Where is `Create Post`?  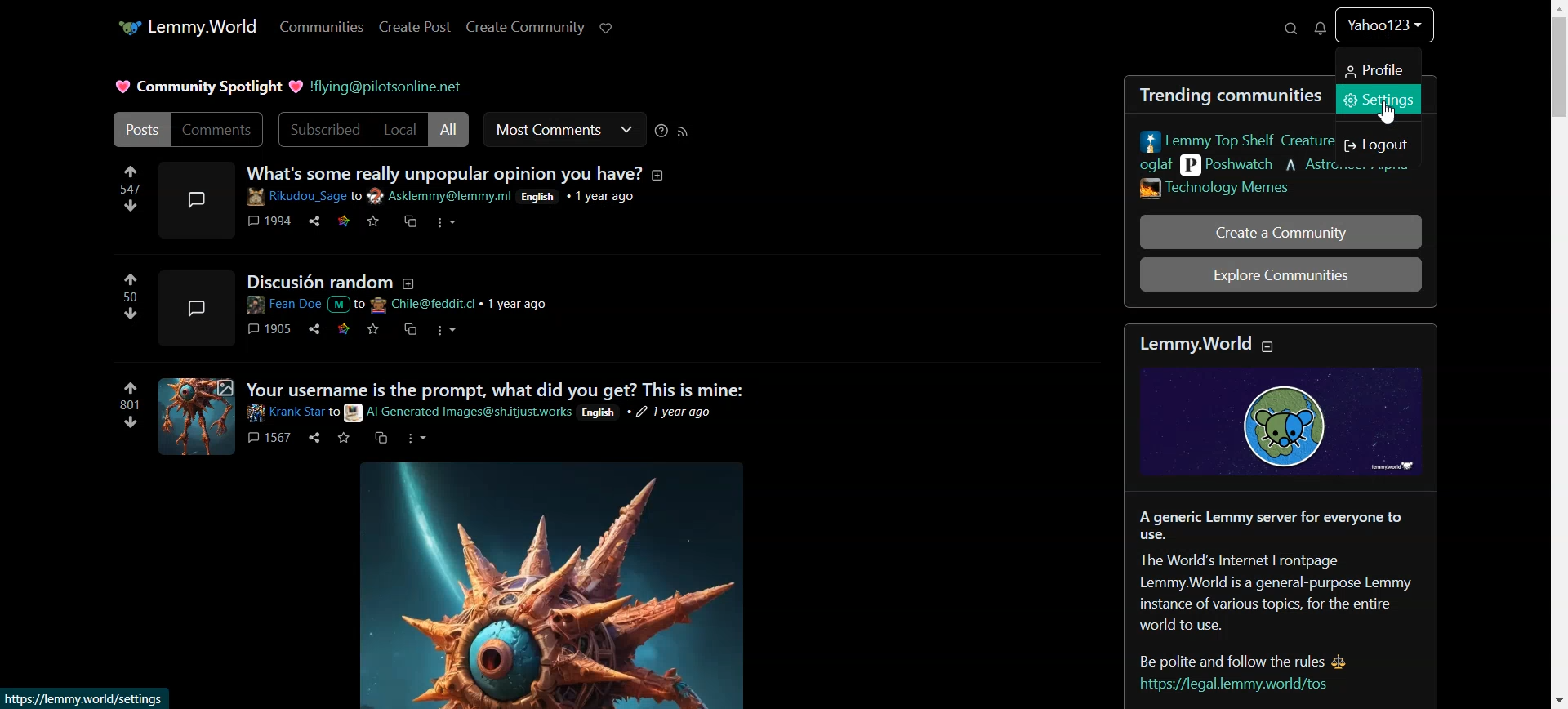 Create Post is located at coordinates (525, 27).